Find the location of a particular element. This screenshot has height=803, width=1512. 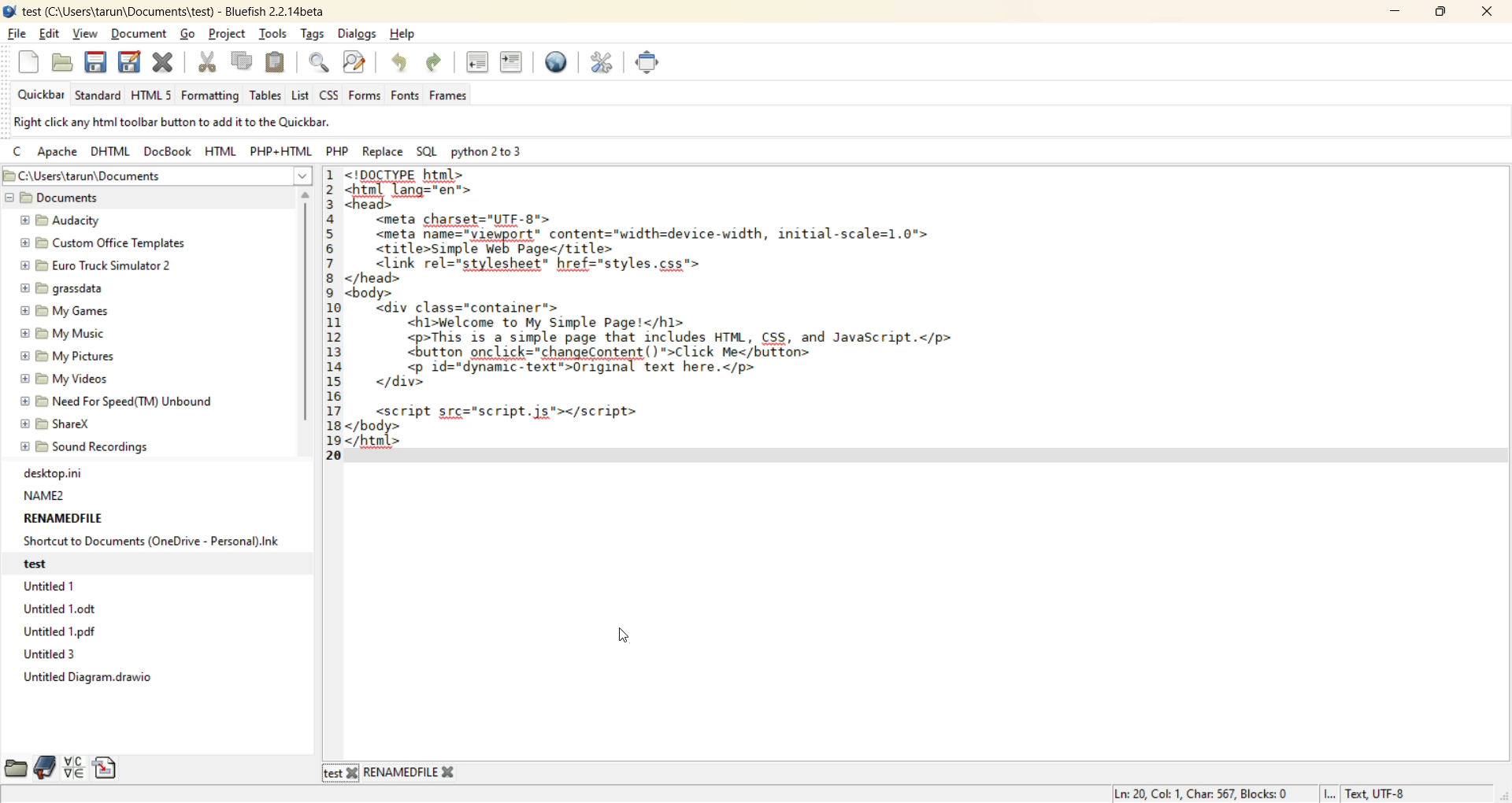

file browser is located at coordinates (17, 770).